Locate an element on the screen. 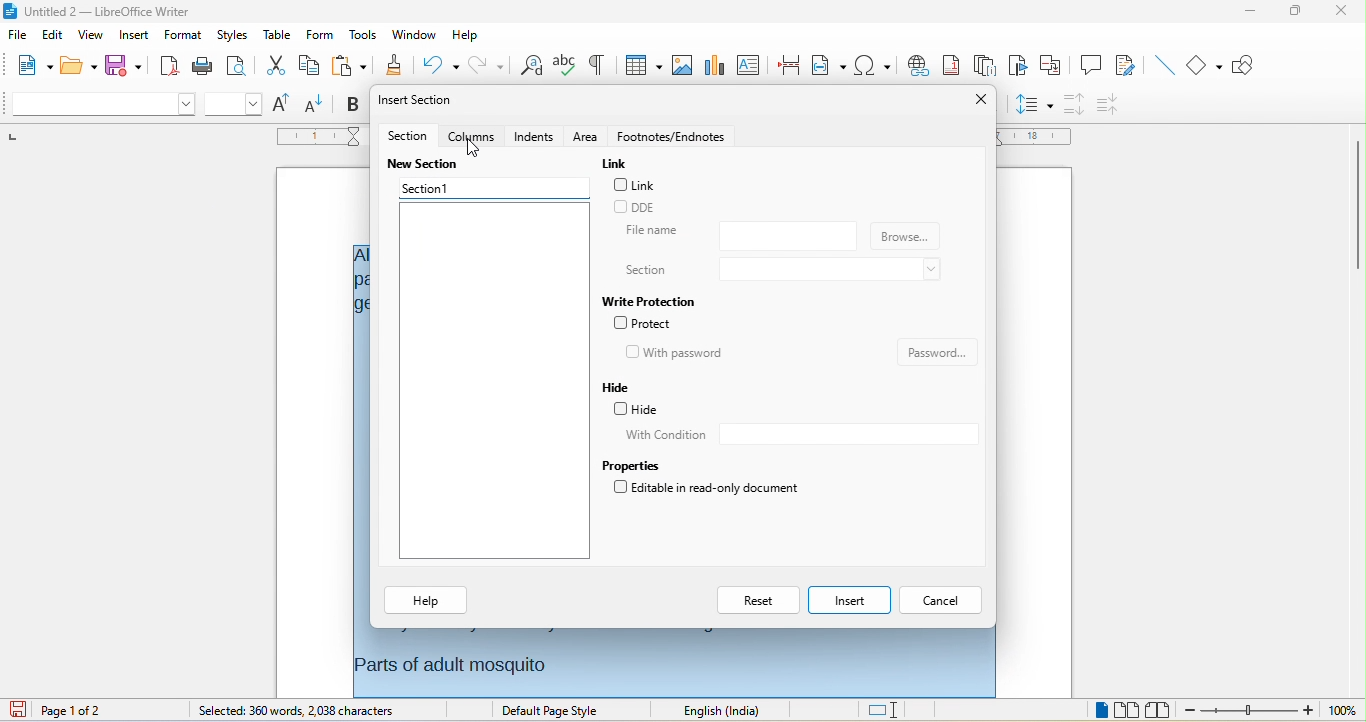 Image resolution: width=1366 pixels, height=722 pixels. section 1 is located at coordinates (489, 188).